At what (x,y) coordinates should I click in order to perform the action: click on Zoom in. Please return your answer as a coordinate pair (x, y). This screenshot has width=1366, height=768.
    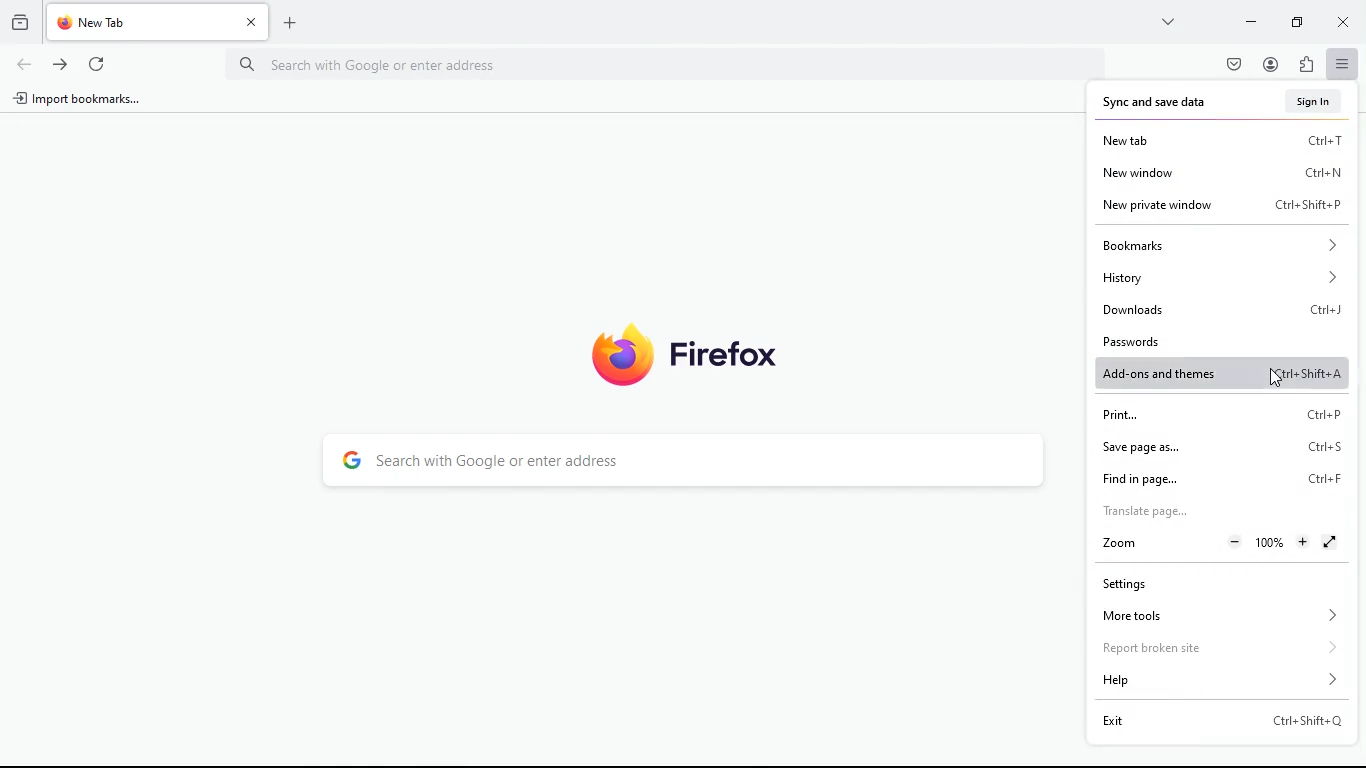
    Looking at the image, I should click on (1304, 542).